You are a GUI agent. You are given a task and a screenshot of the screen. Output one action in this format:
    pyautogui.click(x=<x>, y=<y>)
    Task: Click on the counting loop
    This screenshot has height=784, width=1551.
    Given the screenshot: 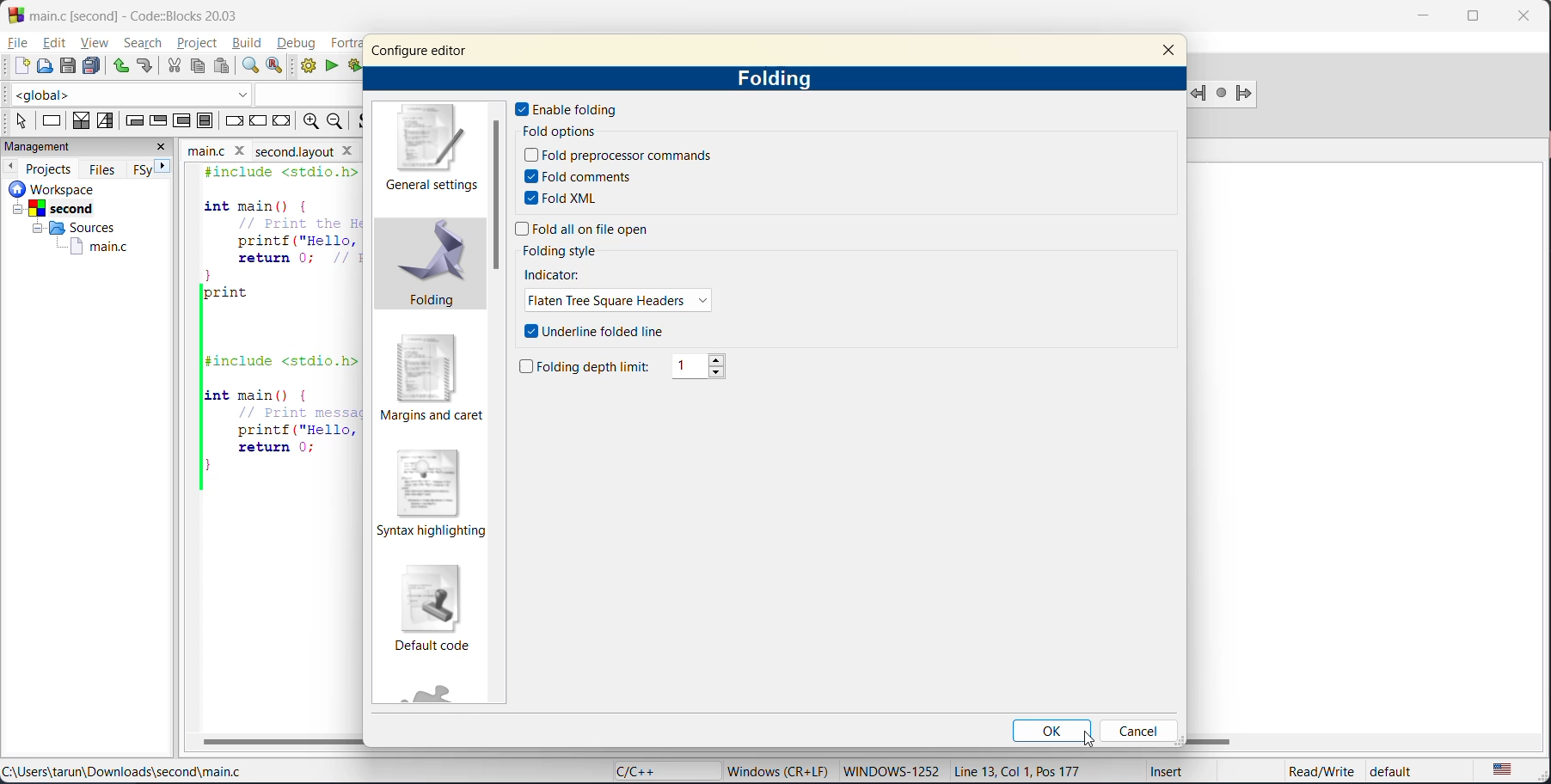 What is the action you would take?
    pyautogui.click(x=184, y=120)
    